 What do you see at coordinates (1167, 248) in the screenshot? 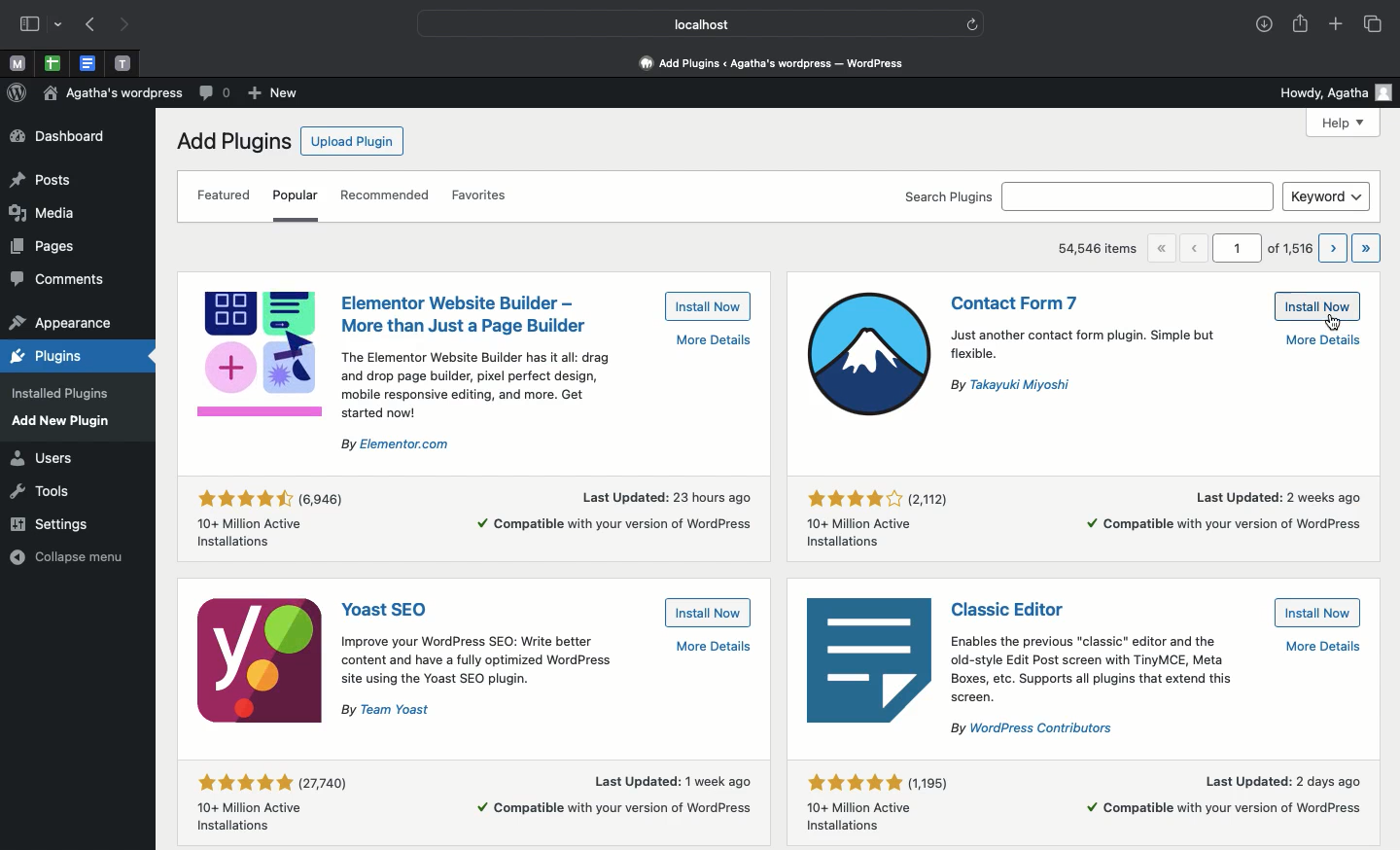
I see `First page` at bounding box center [1167, 248].